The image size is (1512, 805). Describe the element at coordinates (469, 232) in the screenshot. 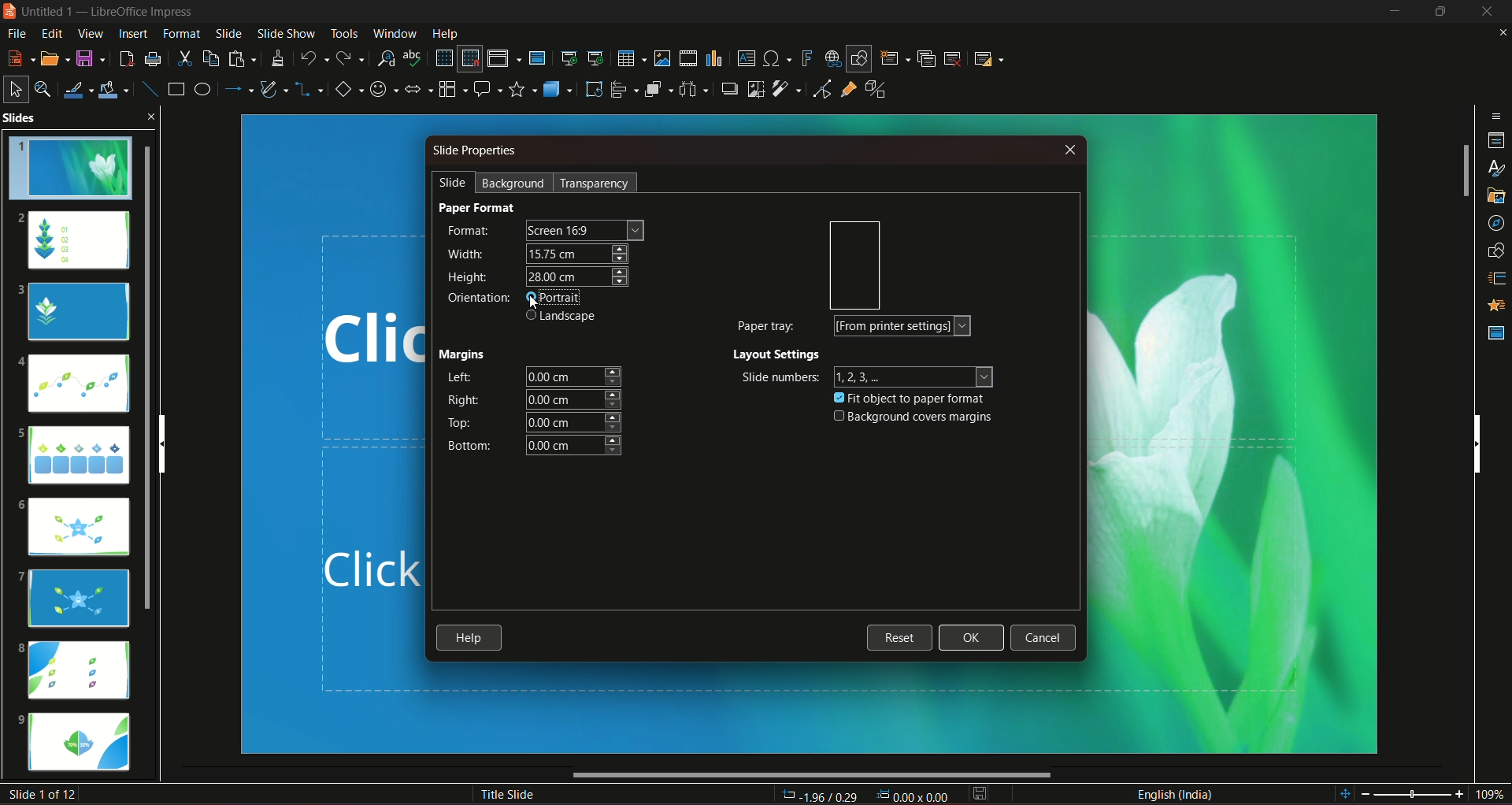

I see `format` at that location.